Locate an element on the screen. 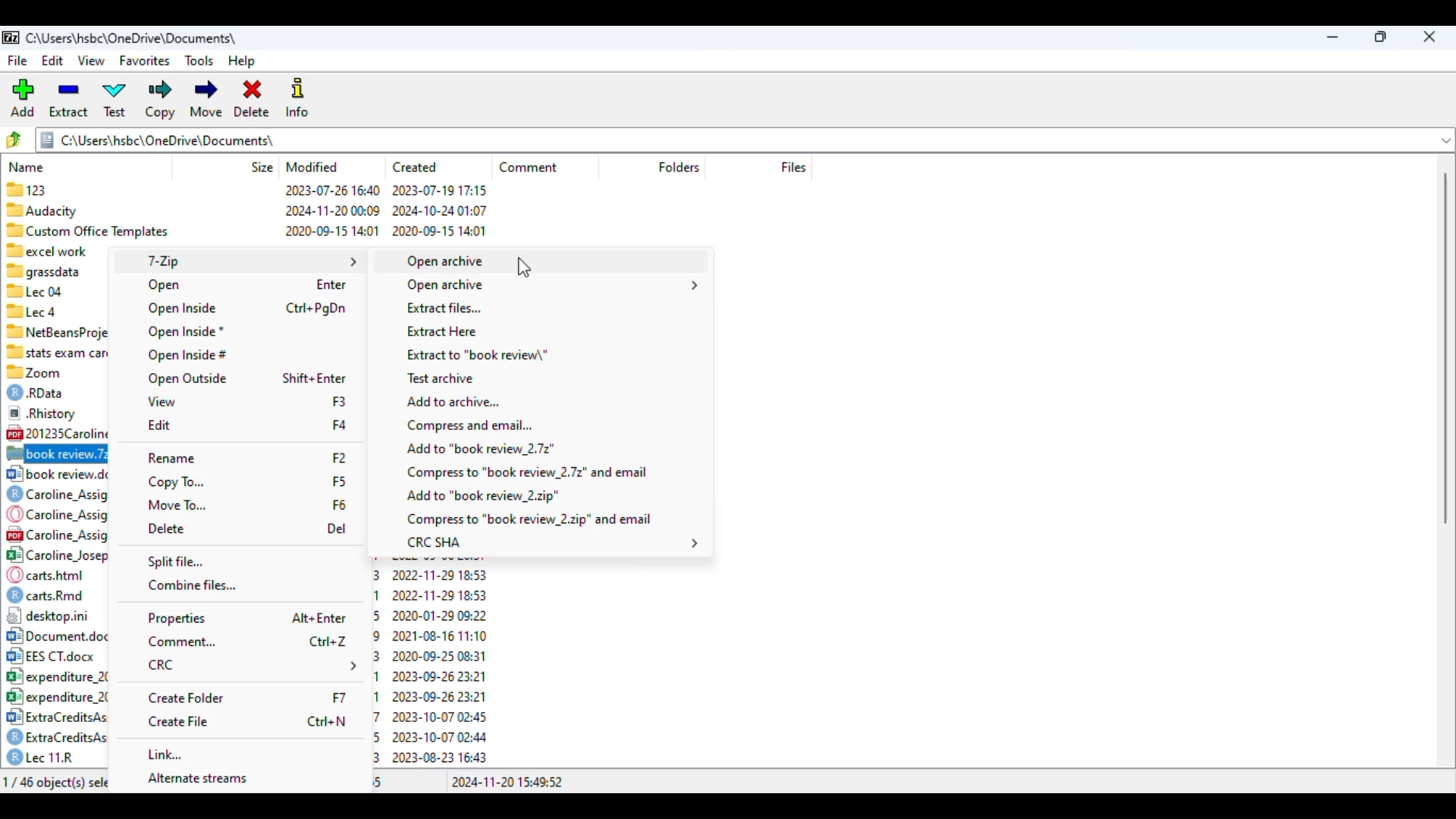 The height and width of the screenshot is (819, 1456). extract here is located at coordinates (441, 331).